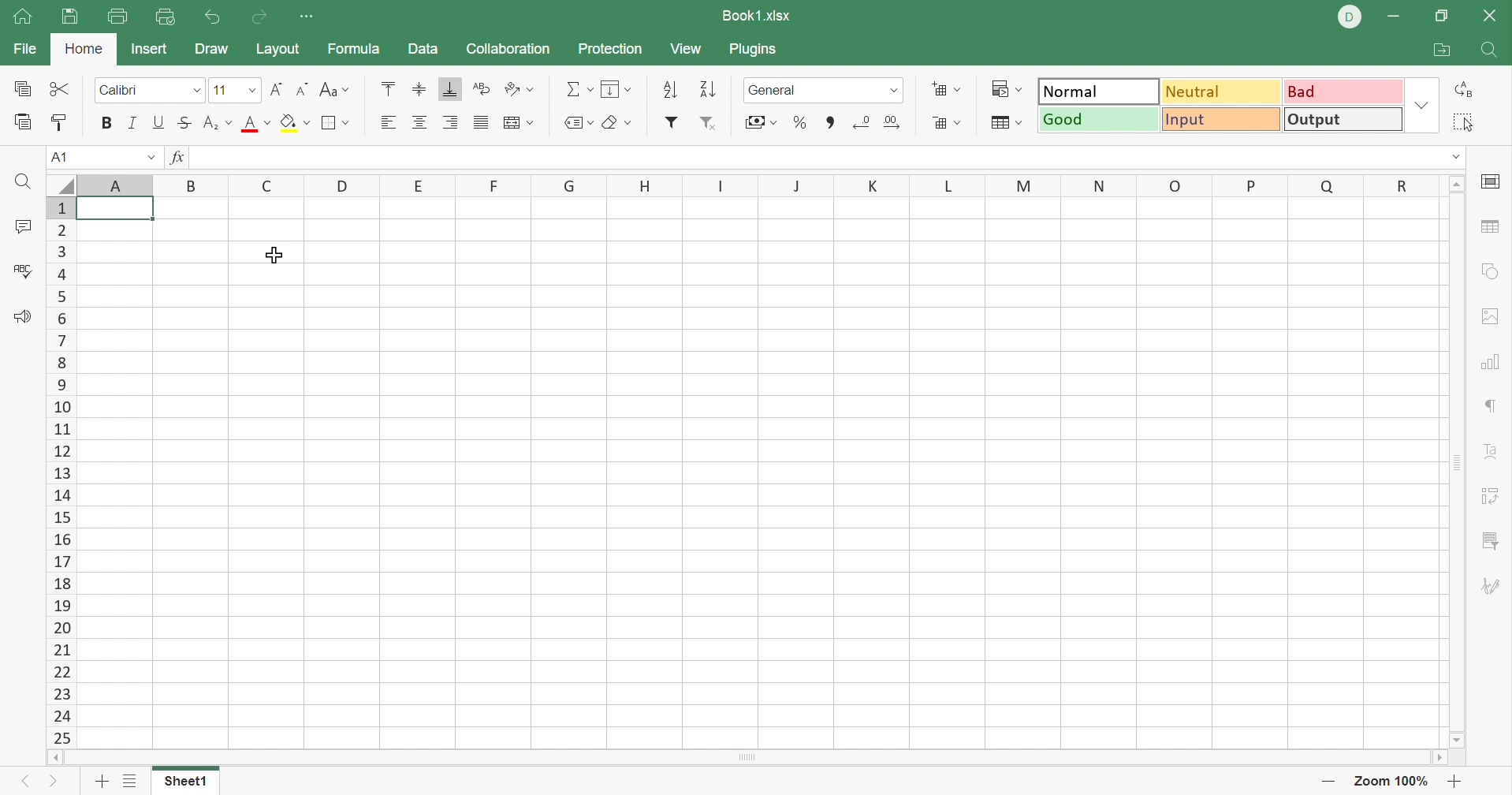  Describe the element at coordinates (759, 122) in the screenshot. I see `Accounting style` at that location.